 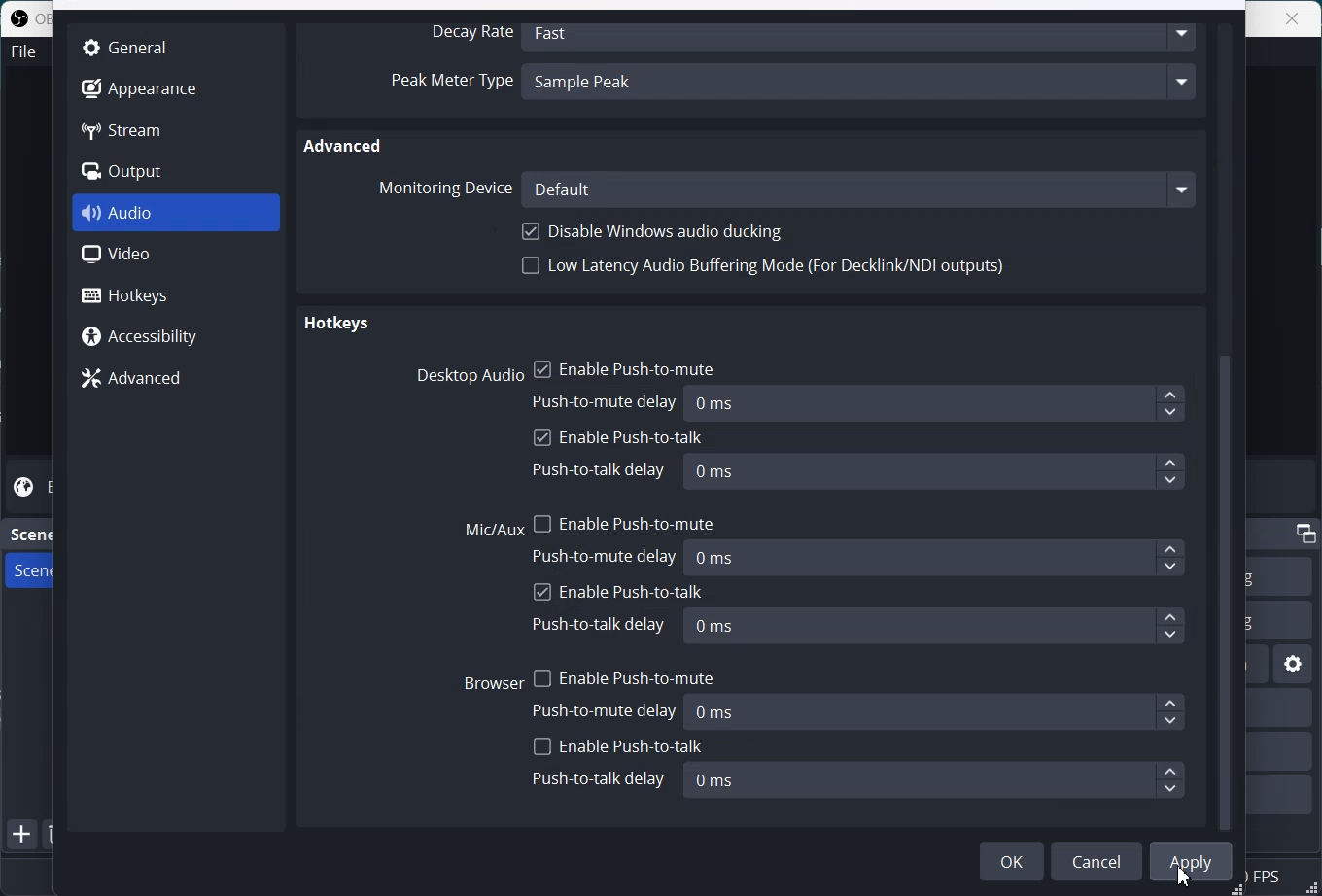 What do you see at coordinates (765, 271) in the screenshot?
I see `Low Latency Audio Buffering Mode (For Decklink/NDI outputs)` at bounding box center [765, 271].